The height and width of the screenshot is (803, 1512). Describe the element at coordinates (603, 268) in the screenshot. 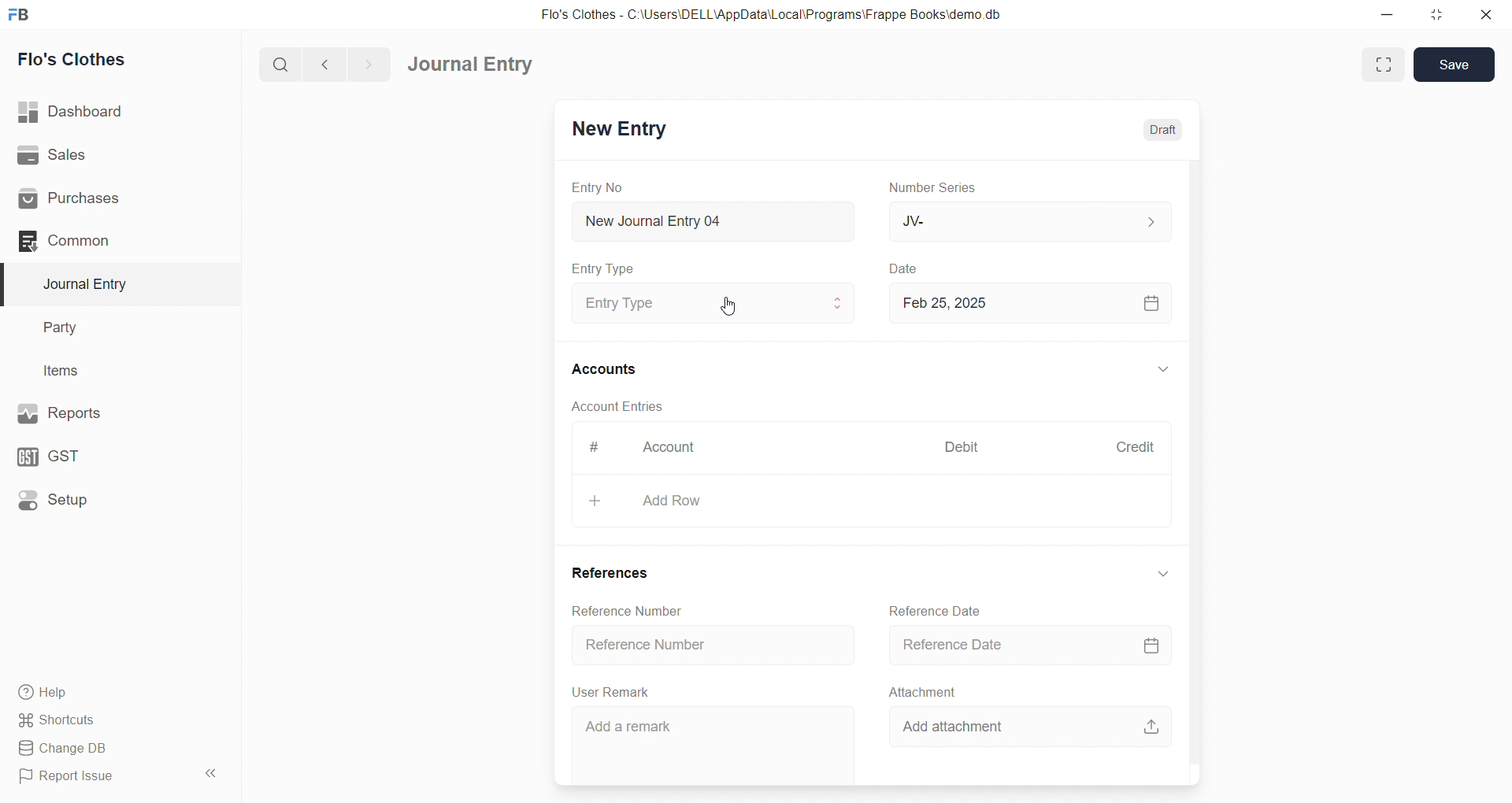

I see `Entry Type` at that location.